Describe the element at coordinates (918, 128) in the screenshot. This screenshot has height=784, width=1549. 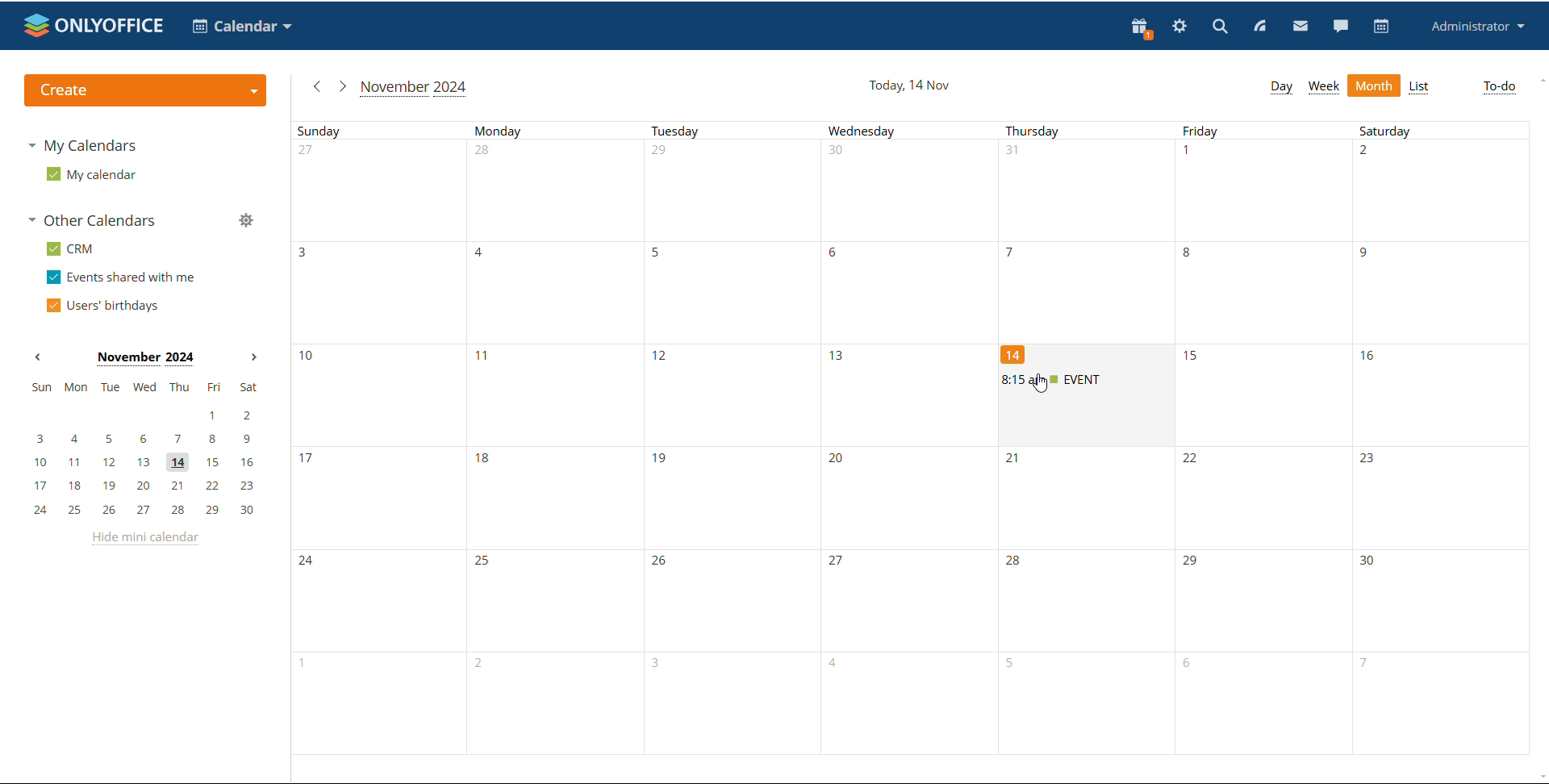
I see `Sunday, Monday, Tuesday, Wednesday, Thursday, Friday, Saturday ` at that location.